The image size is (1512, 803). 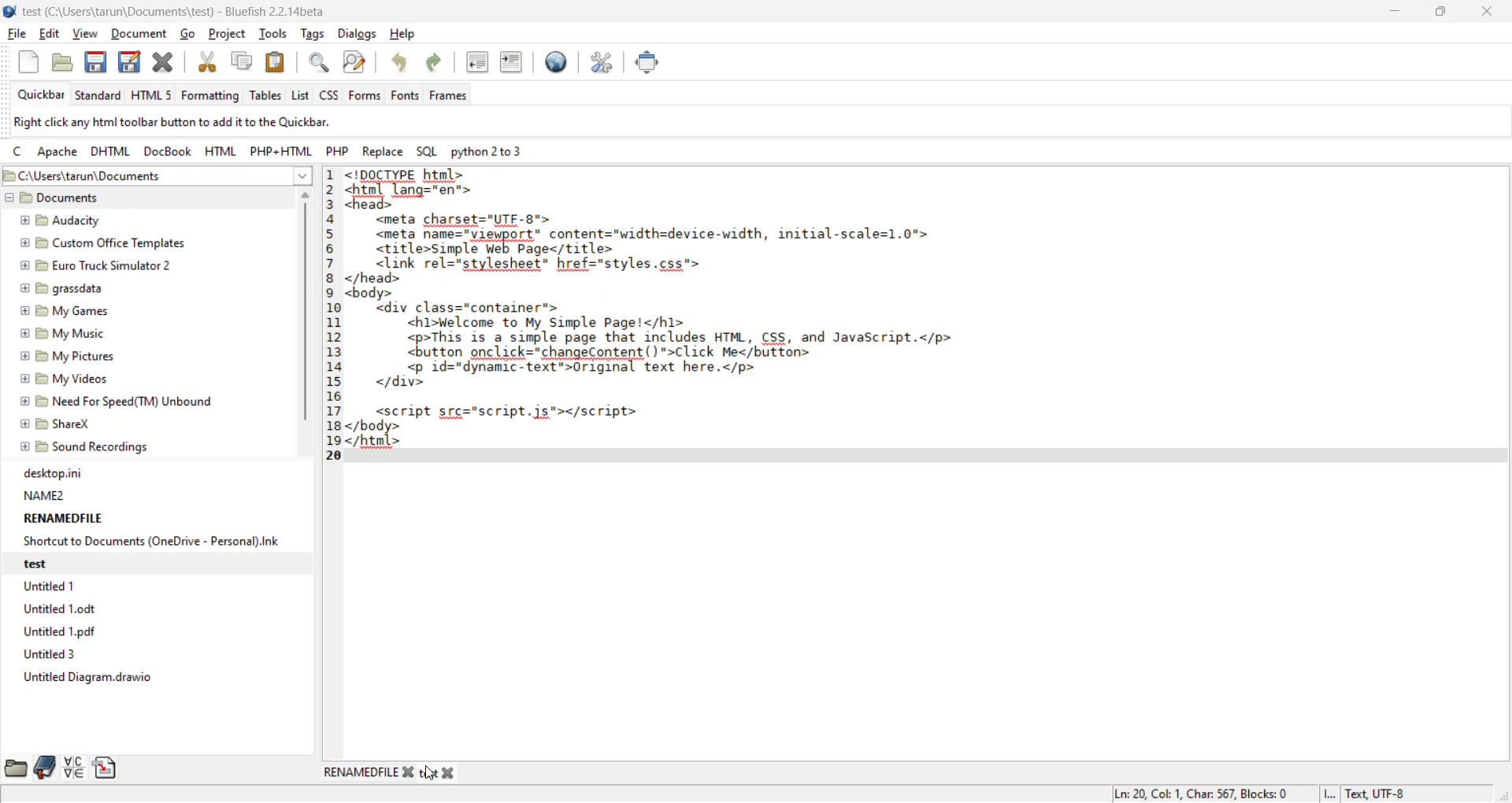 I want to click on Euro Truck Simulator 2, so click(x=95, y=263).